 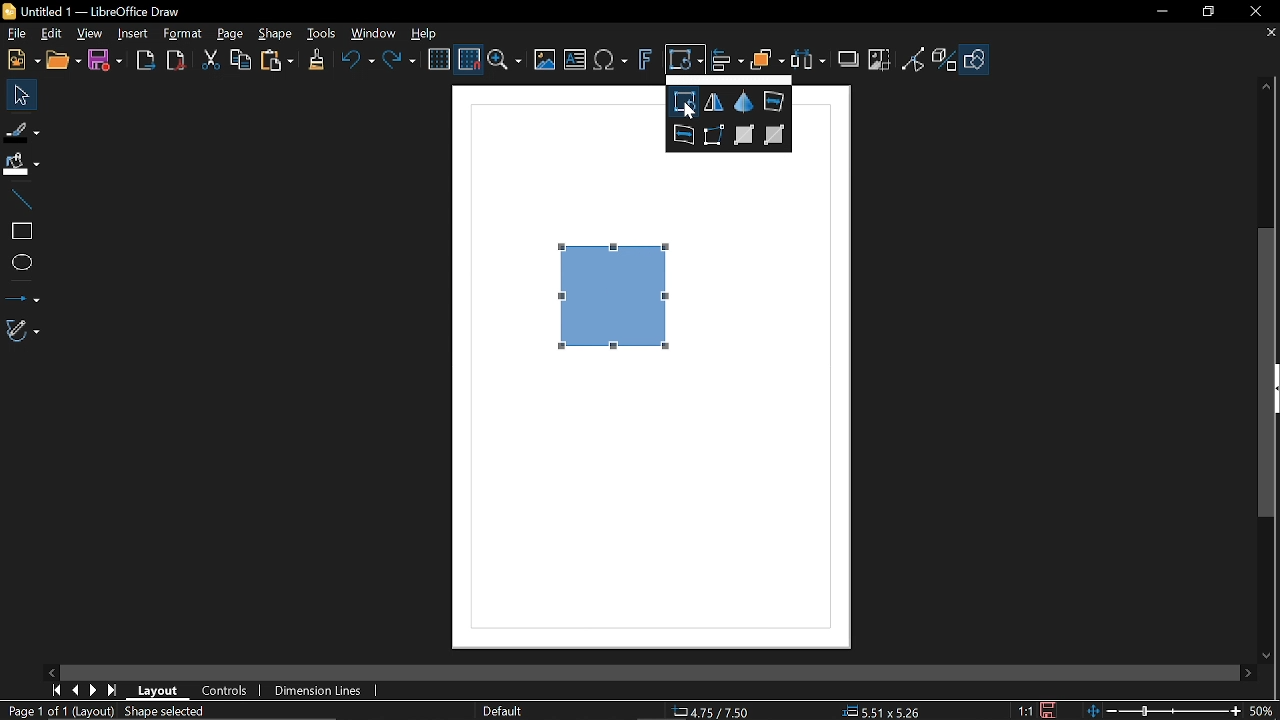 I want to click on Shaped selected, so click(x=169, y=711).